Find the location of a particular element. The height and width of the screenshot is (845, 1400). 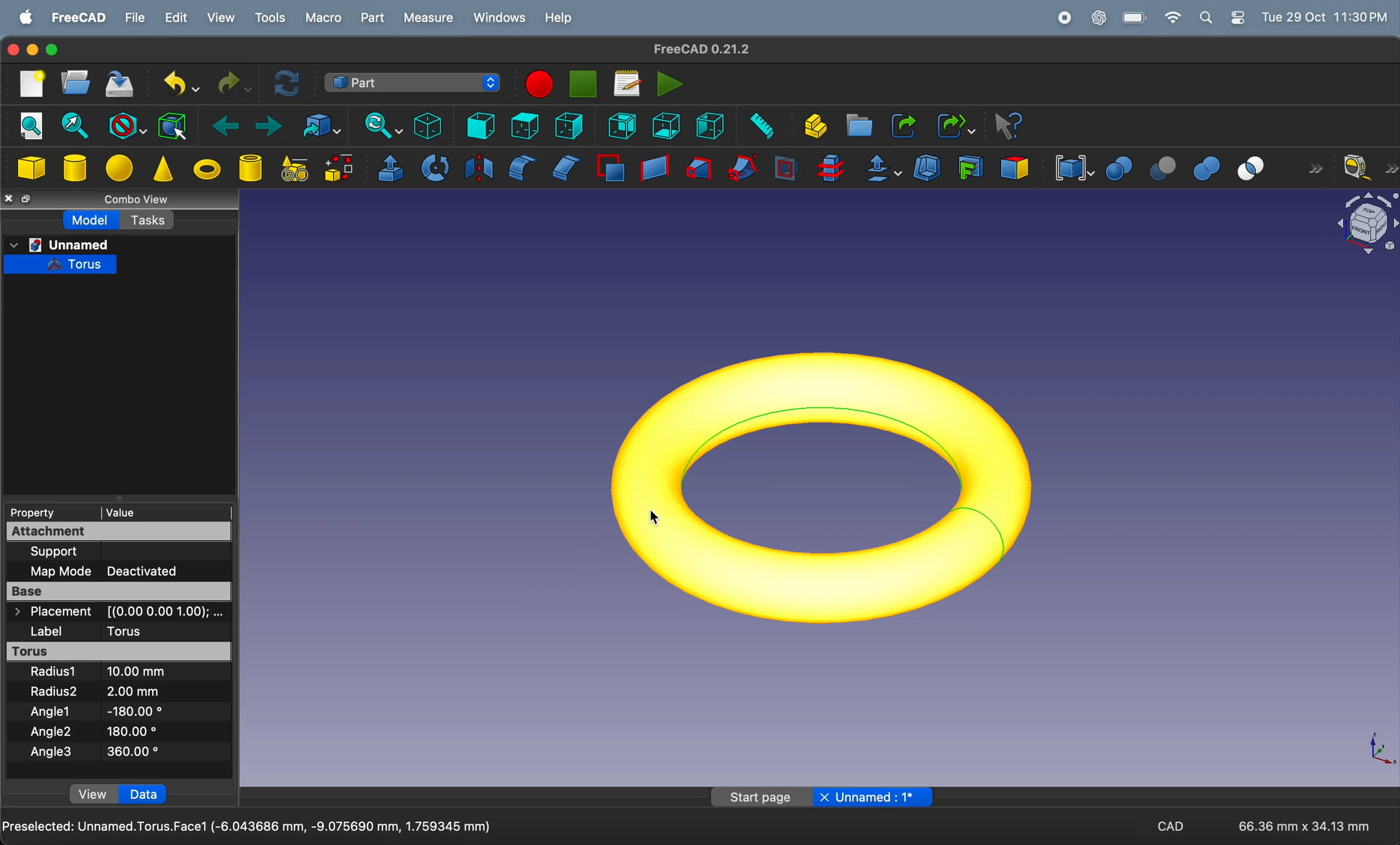

top view is located at coordinates (526, 126).